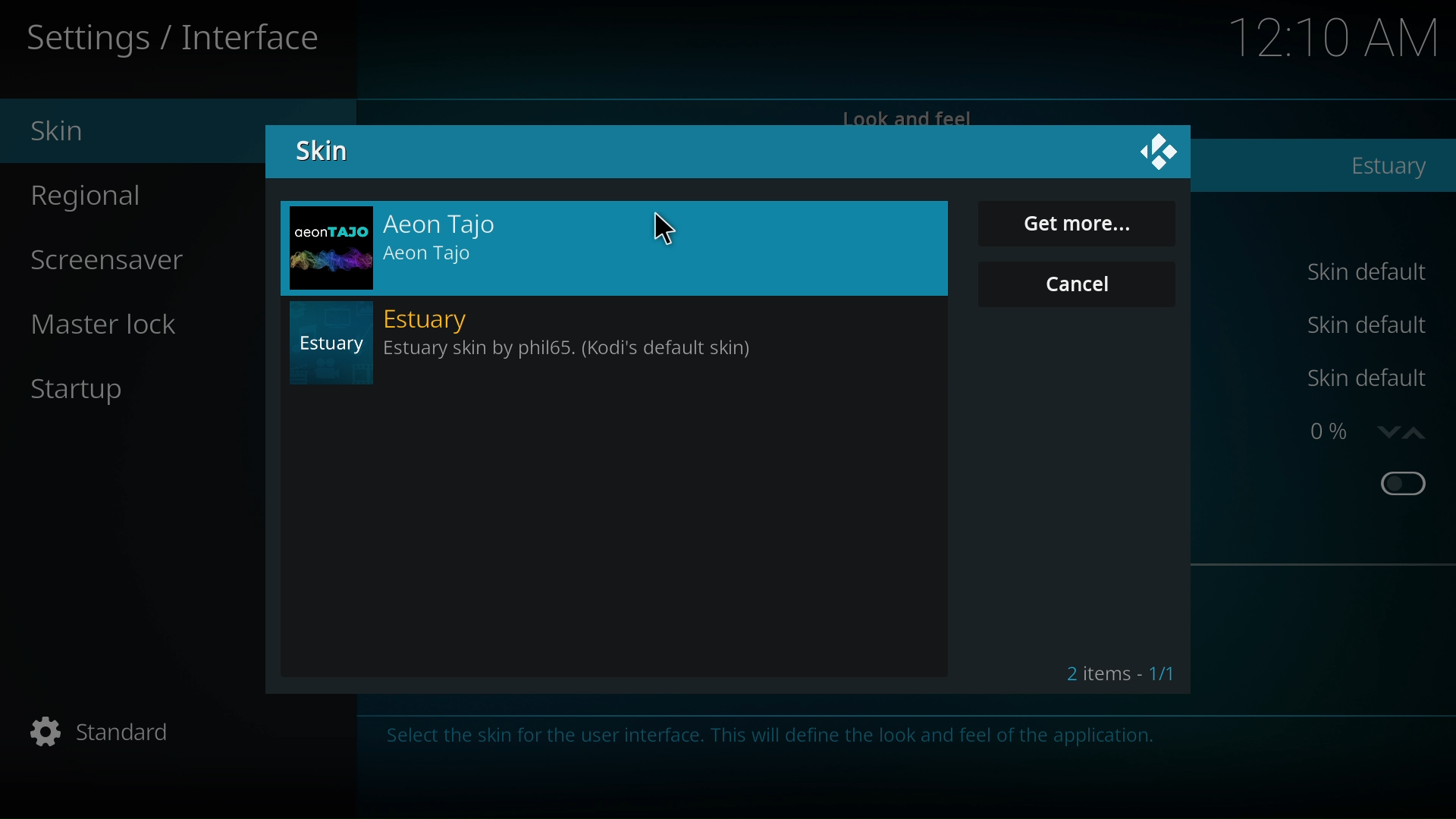  What do you see at coordinates (616, 245) in the screenshot?
I see `aeon tajo` at bounding box center [616, 245].